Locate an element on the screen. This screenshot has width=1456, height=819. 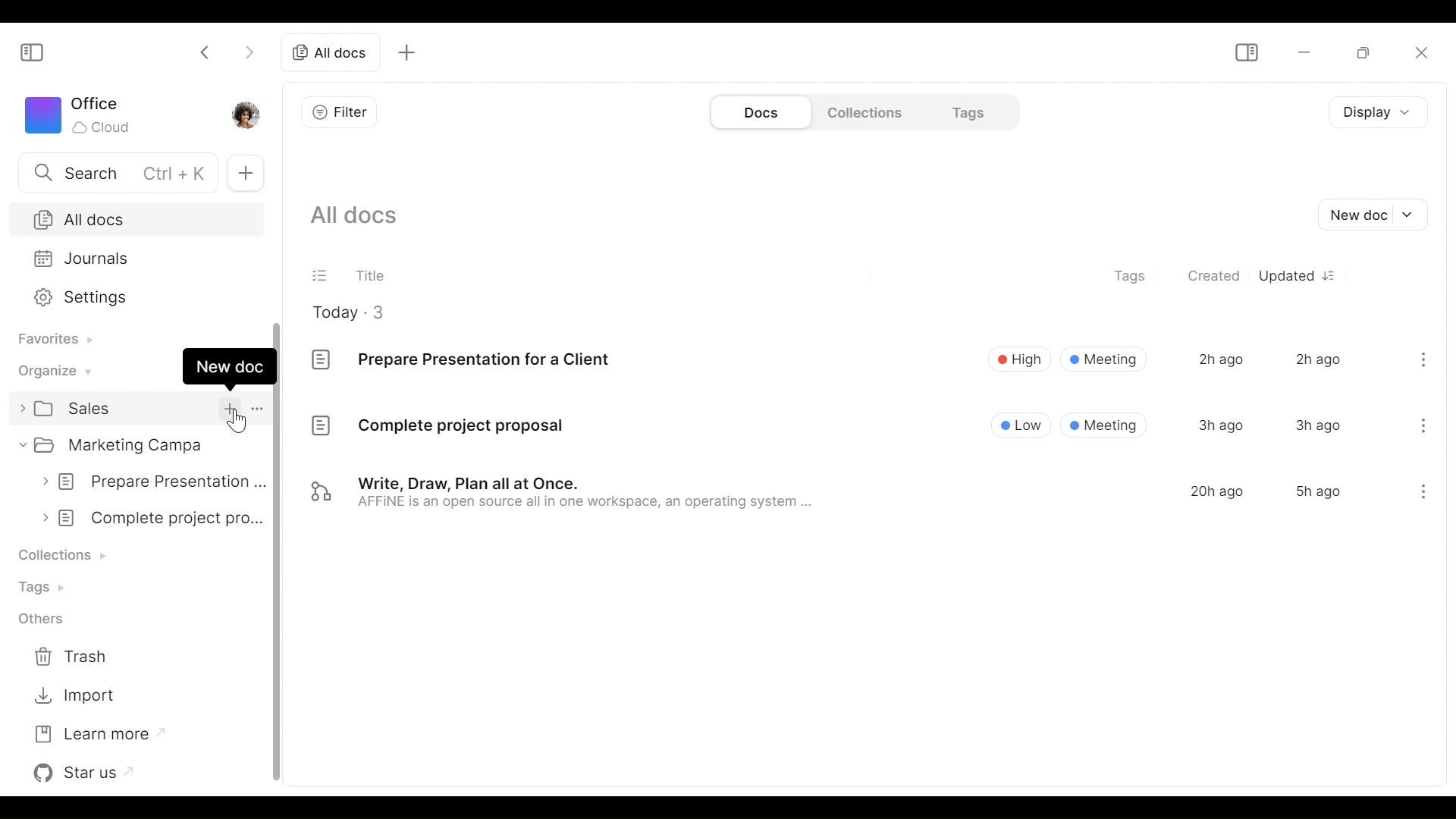
prepare presentation is located at coordinates (156, 480).